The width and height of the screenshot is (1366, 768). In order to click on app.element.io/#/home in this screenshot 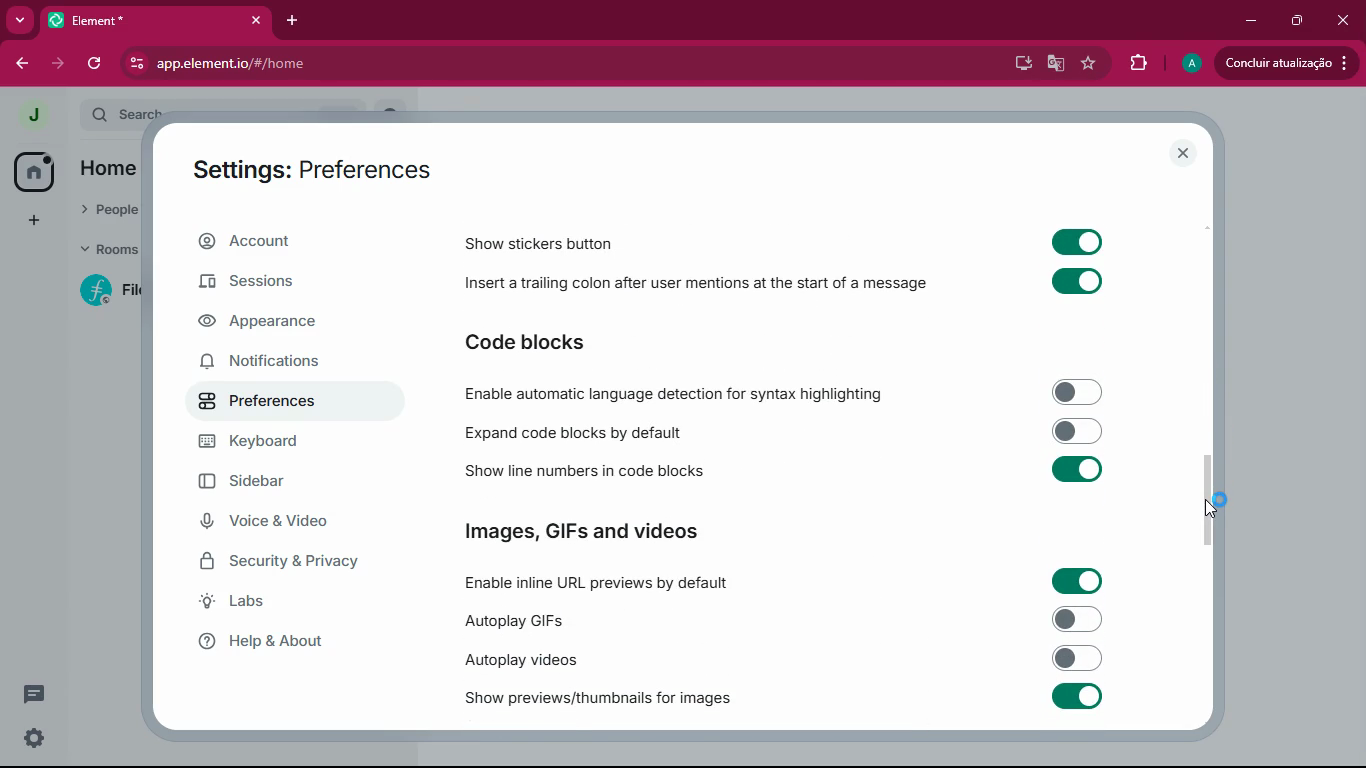, I will do `click(406, 65)`.